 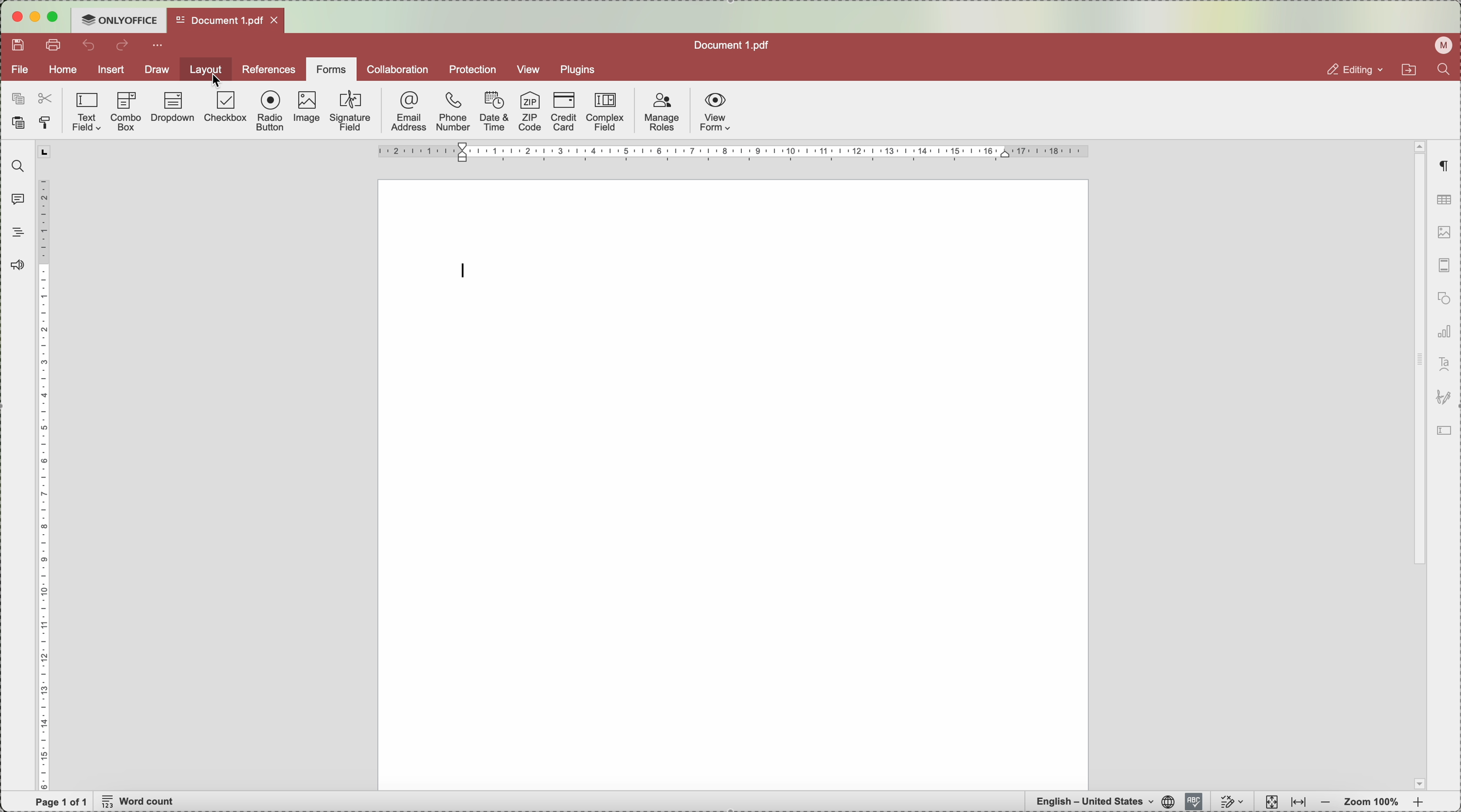 What do you see at coordinates (45, 466) in the screenshot?
I see `ruler` at bounding box center [45, 466].